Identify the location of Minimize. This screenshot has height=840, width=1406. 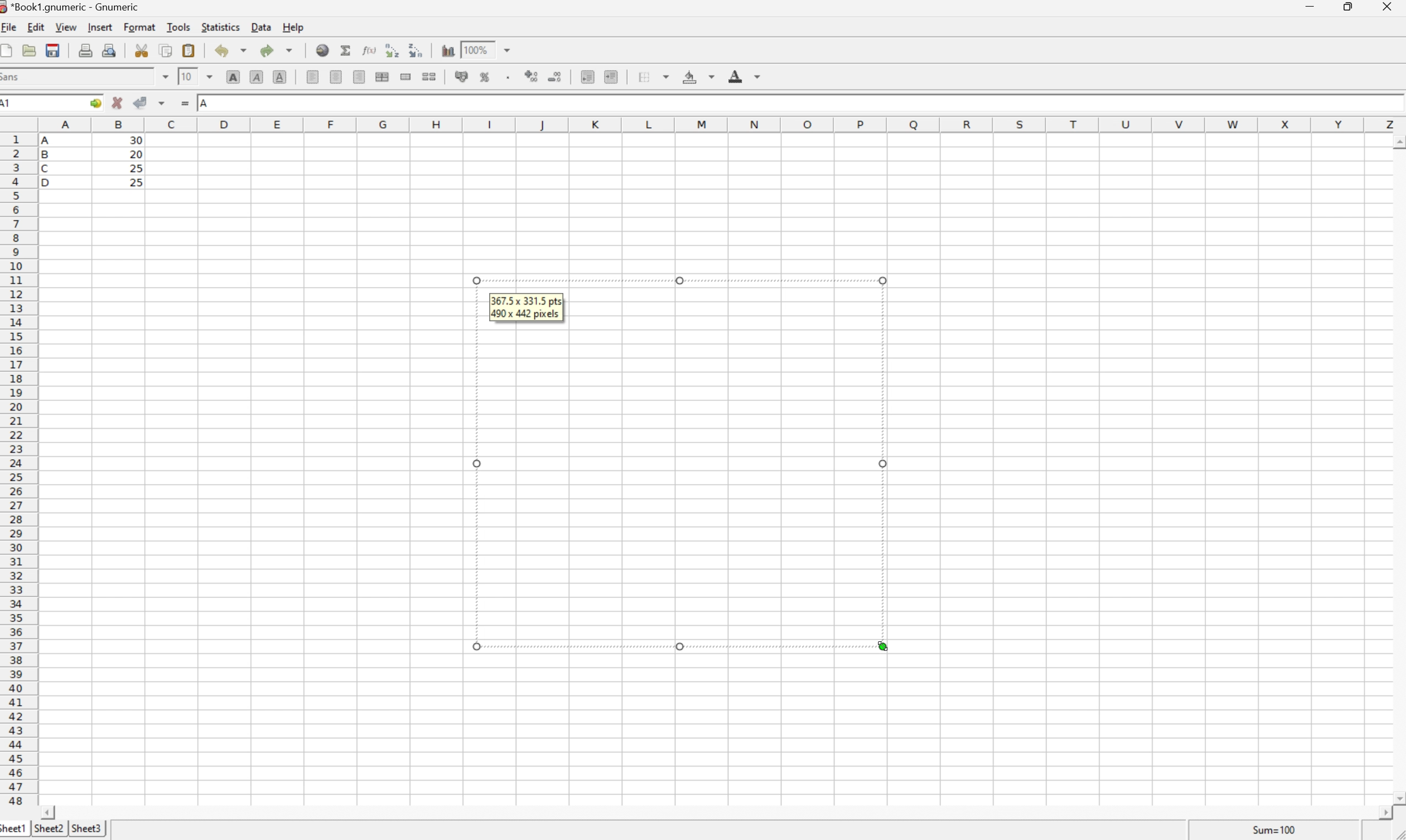
(1310, 6).